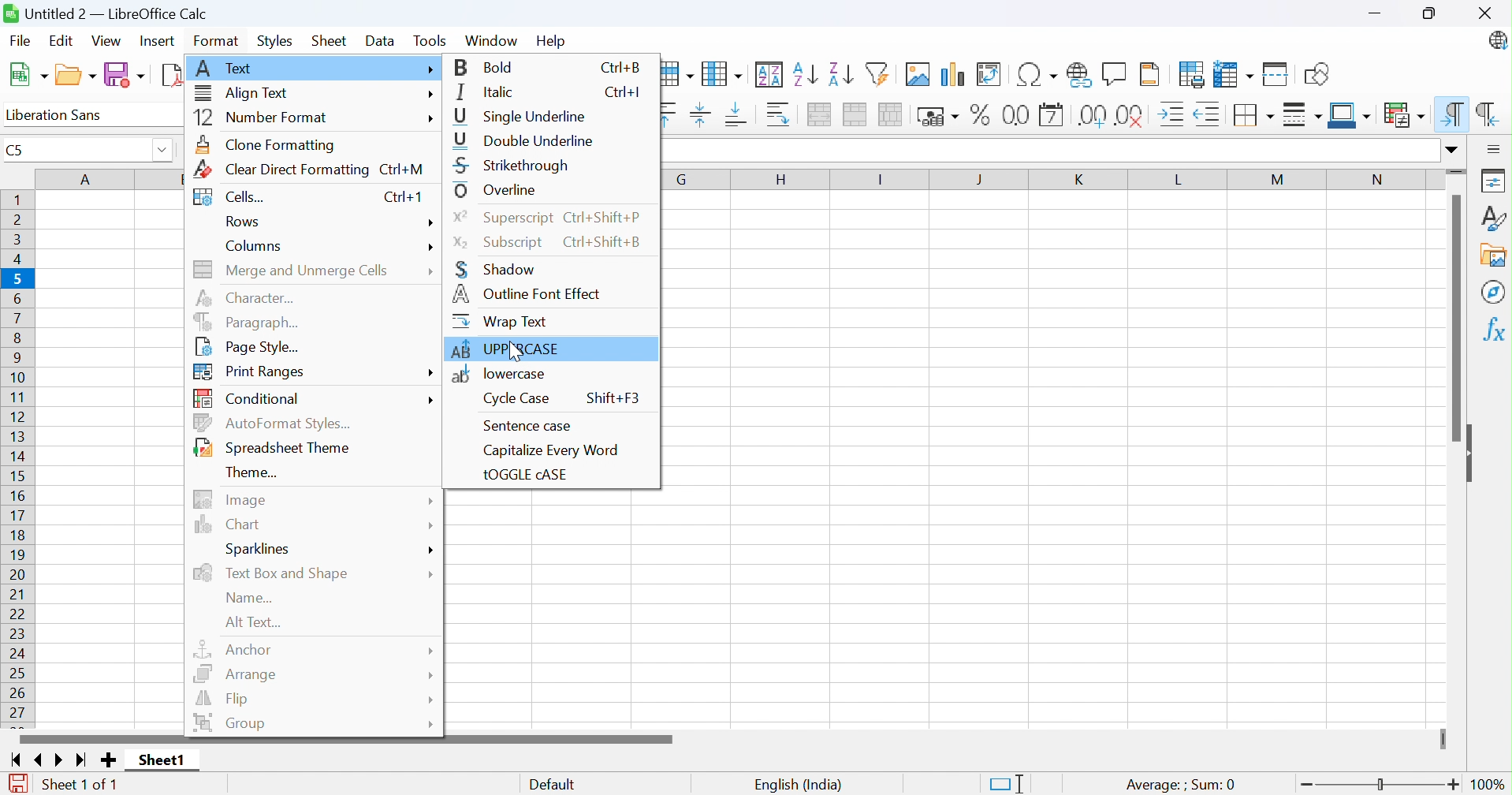  I want to click on Superscript, so click(502, 222).